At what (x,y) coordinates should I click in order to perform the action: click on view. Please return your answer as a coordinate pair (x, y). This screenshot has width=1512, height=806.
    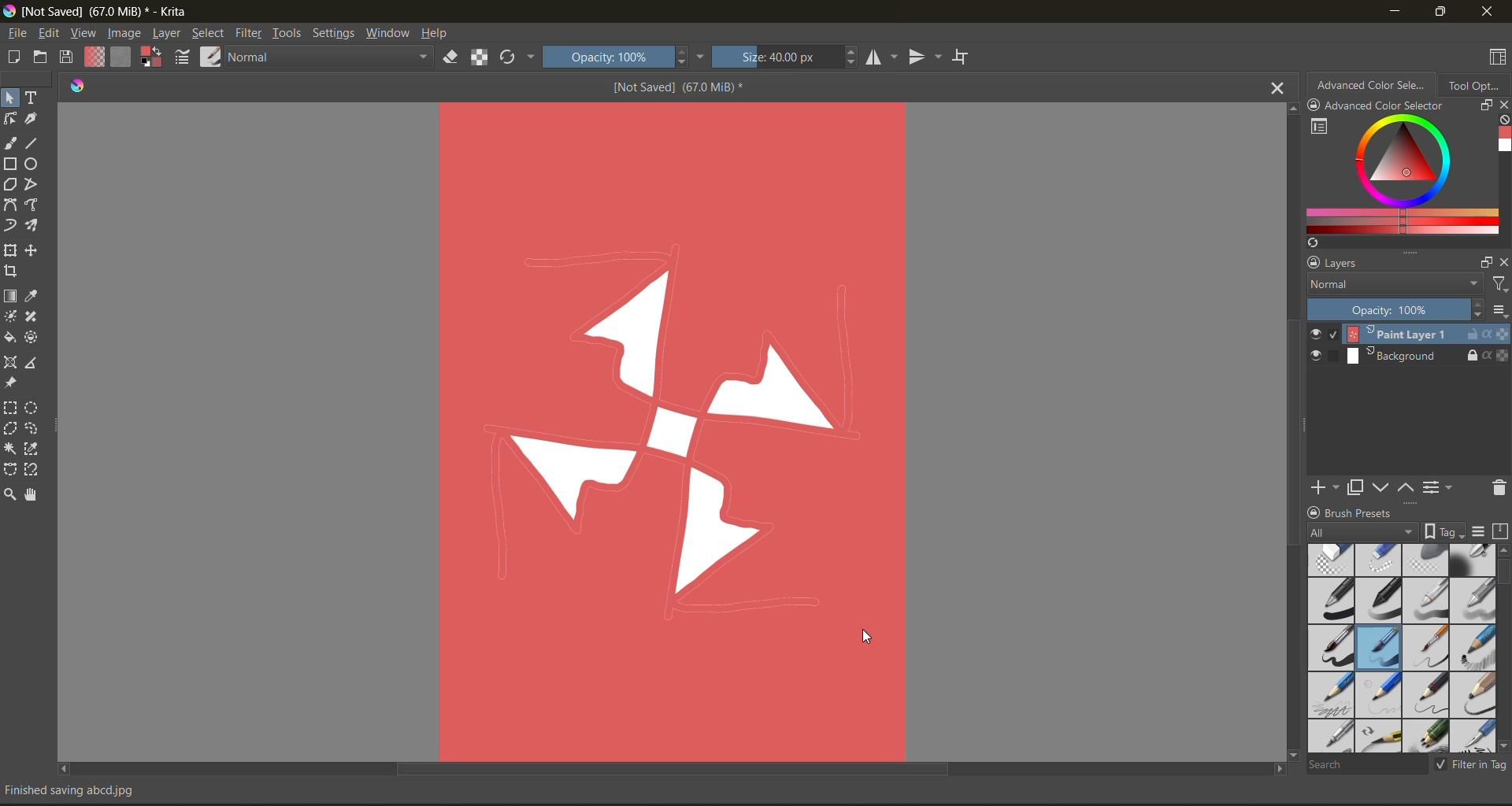
    Looking at the image, I should click on (83, 33).